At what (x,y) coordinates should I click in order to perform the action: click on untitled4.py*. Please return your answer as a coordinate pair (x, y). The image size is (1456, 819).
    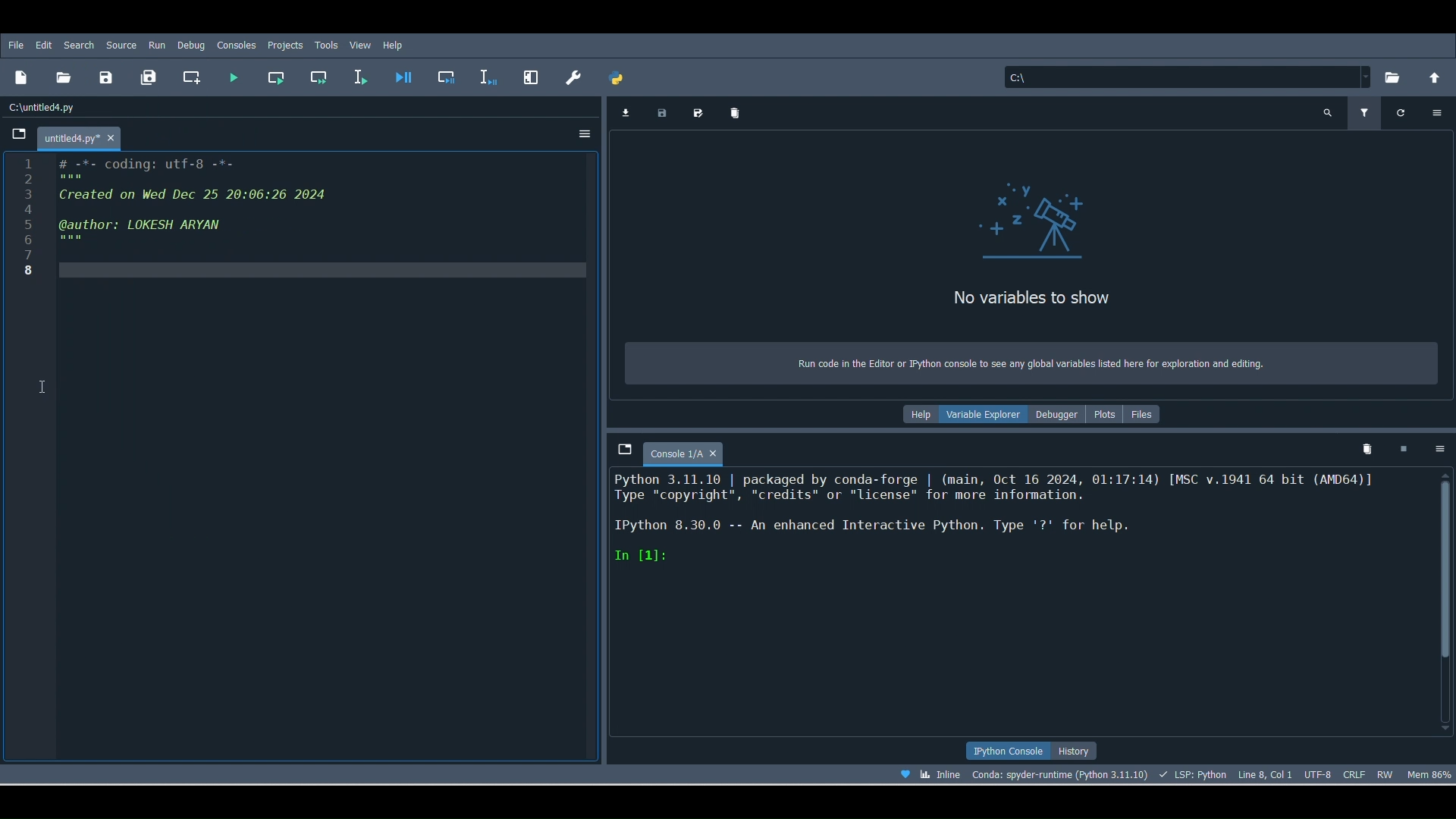
    Looking at the image, I should click on (91, 138).